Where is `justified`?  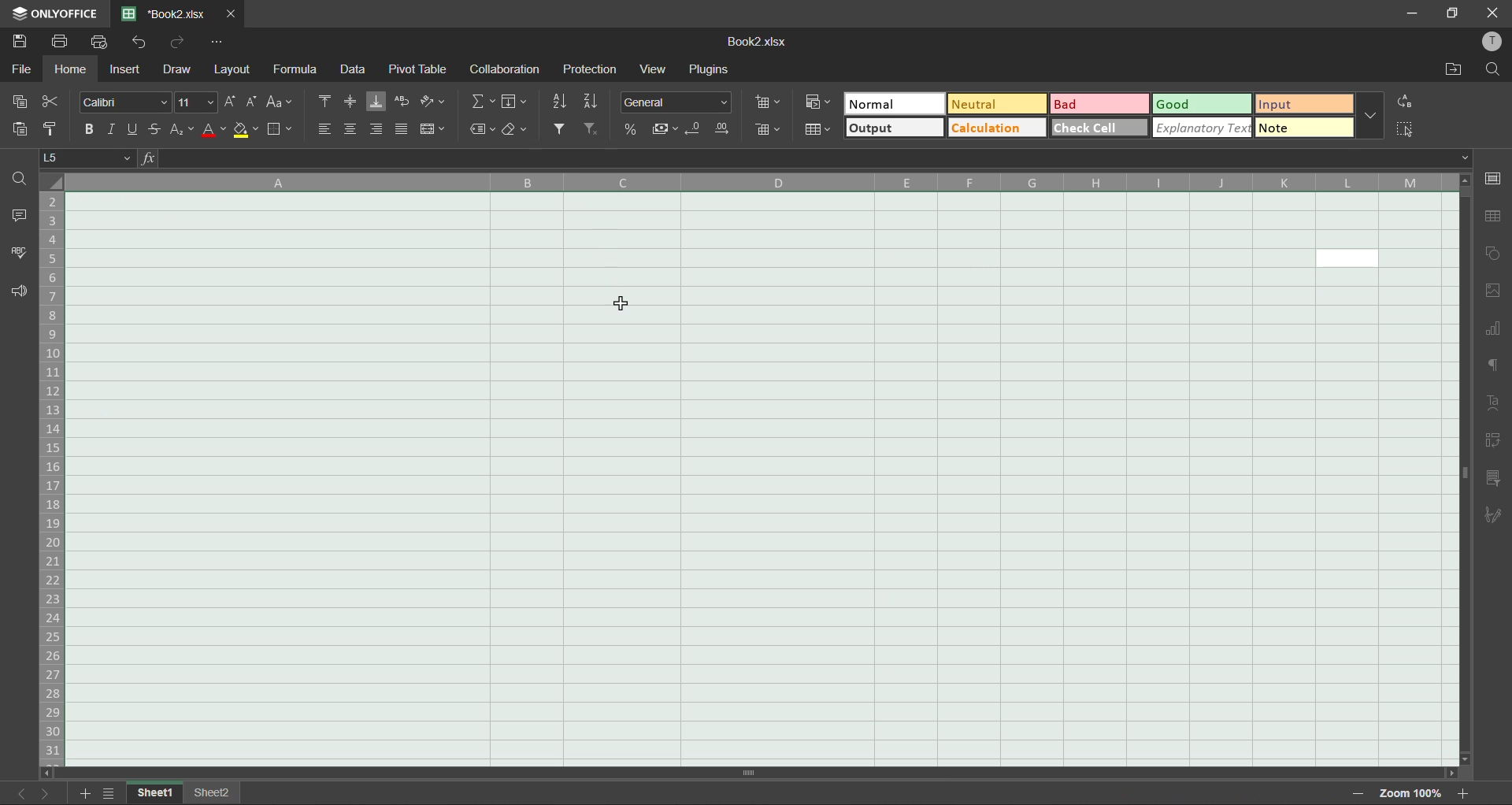
justified is located at coordinates (400, 129).